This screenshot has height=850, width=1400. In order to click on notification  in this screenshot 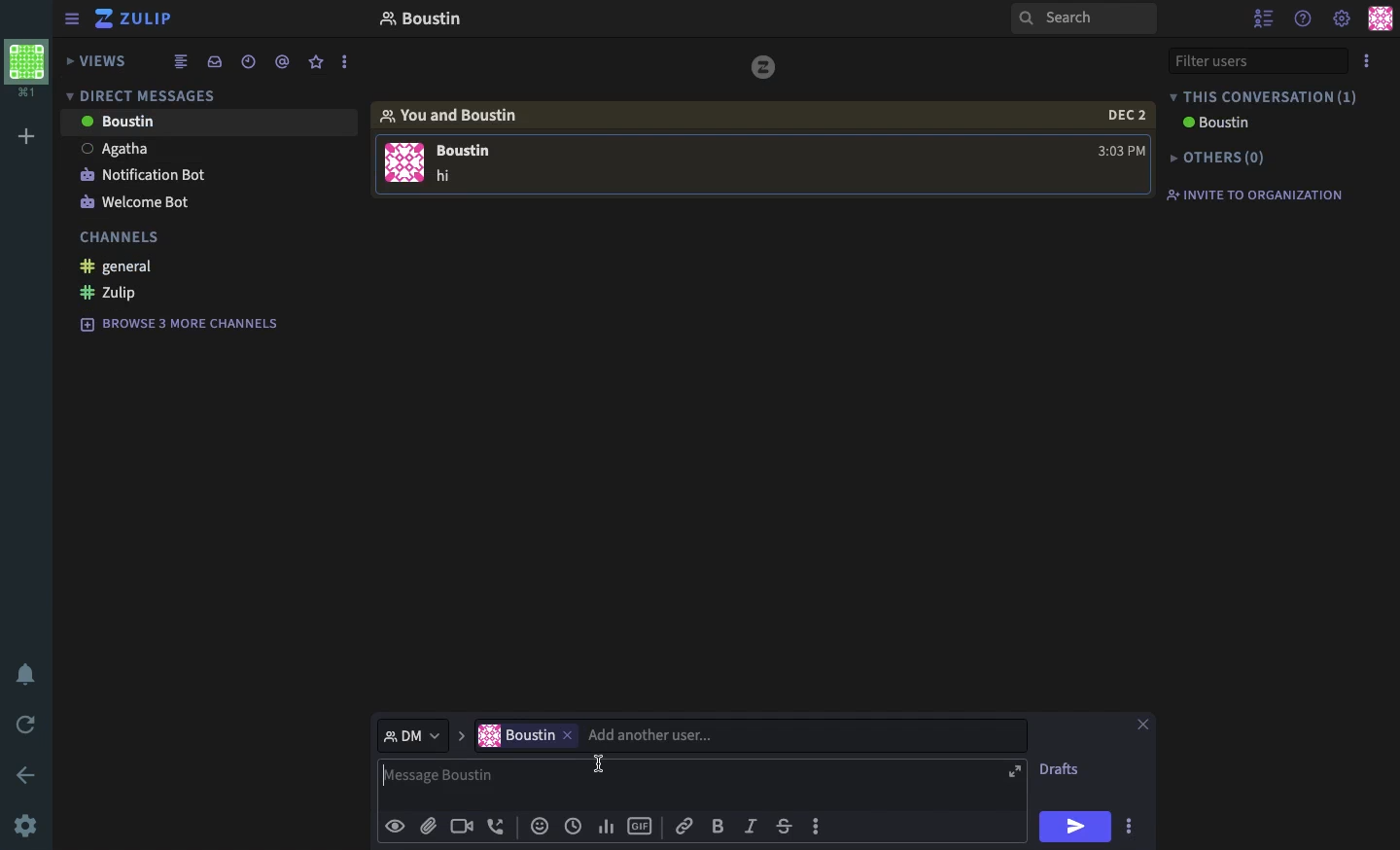, I will do `click(28, 674)`.